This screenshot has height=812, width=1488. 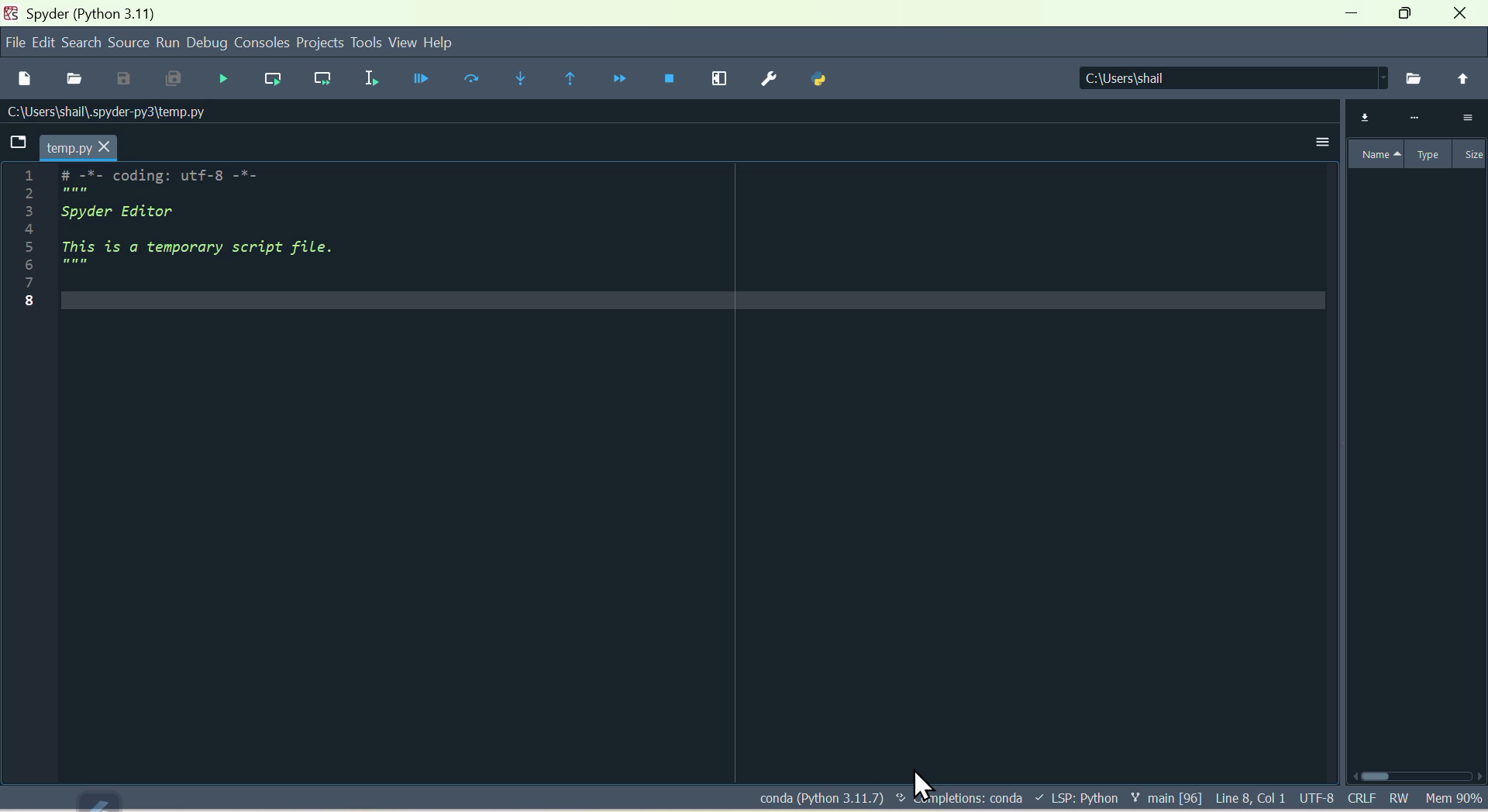 What do you see at coordinates (447, 46) in the screenshot?
I see `help` at bounding box center [447, 46].